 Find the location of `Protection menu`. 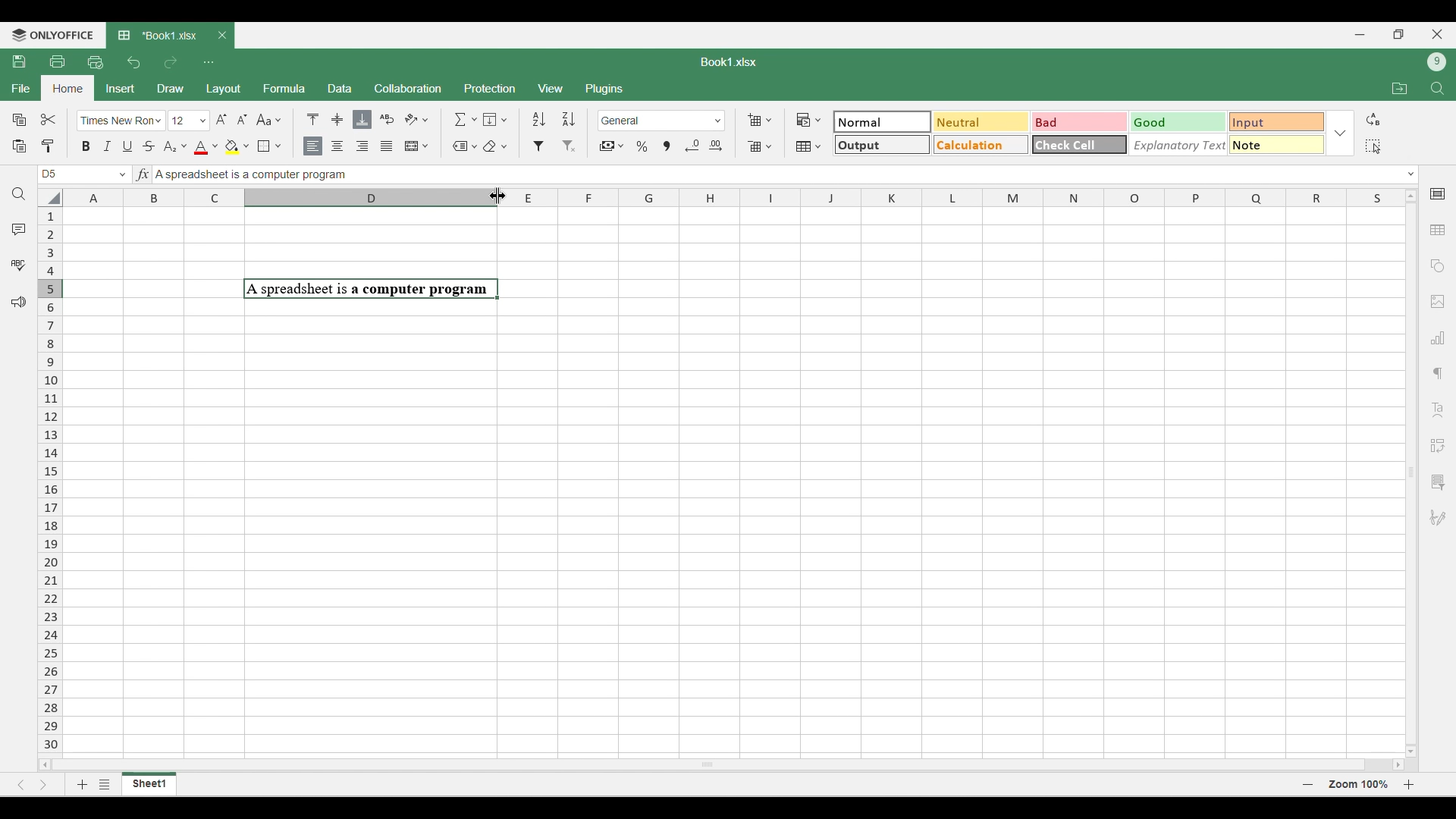

Protection menu is located at coordinates (489, 88).